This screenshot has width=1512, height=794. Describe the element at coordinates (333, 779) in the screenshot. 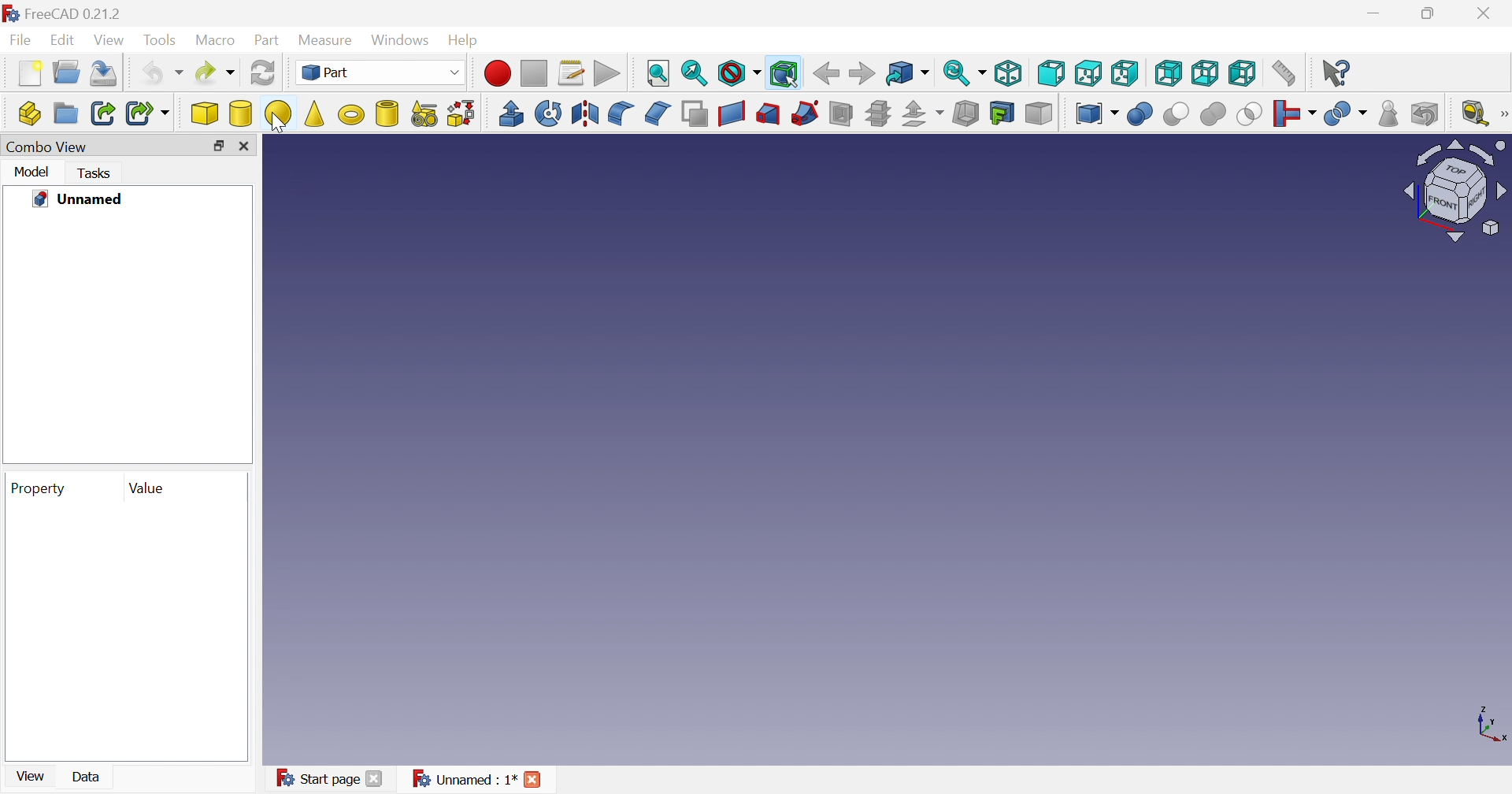

I see `Start page ` at that location.